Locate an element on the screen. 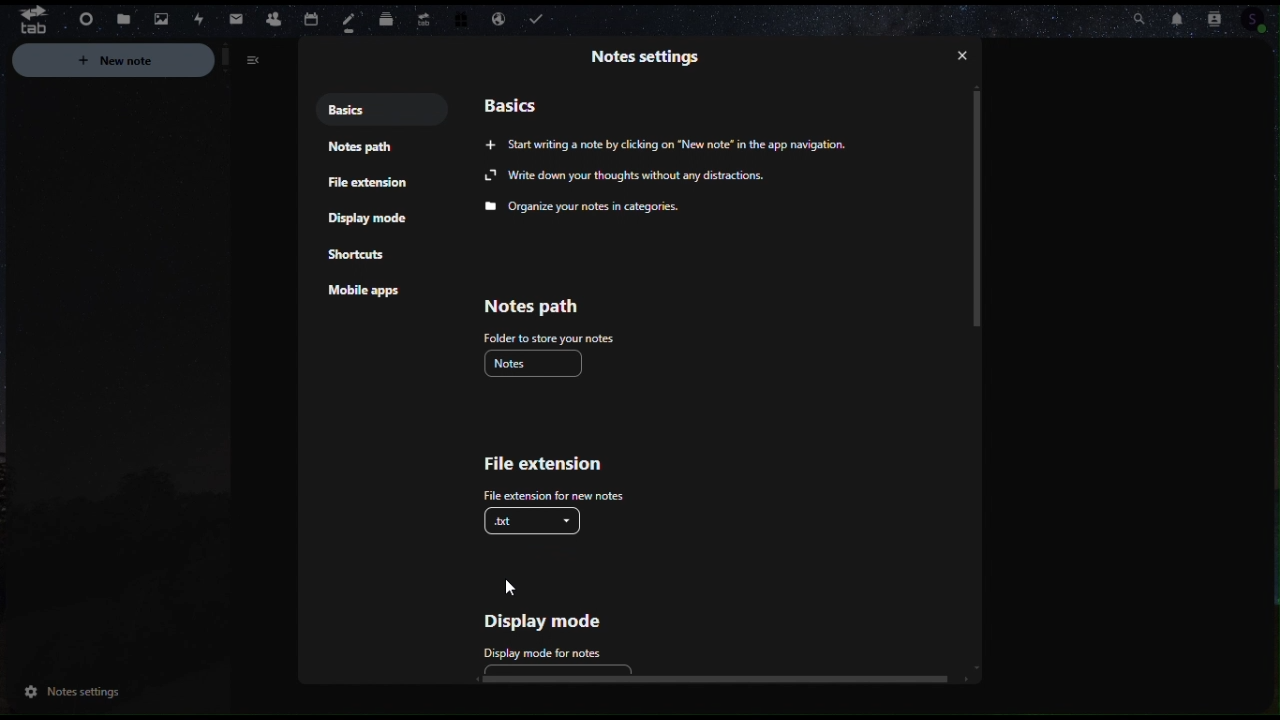  Basics is located at coordinates (368, 110).